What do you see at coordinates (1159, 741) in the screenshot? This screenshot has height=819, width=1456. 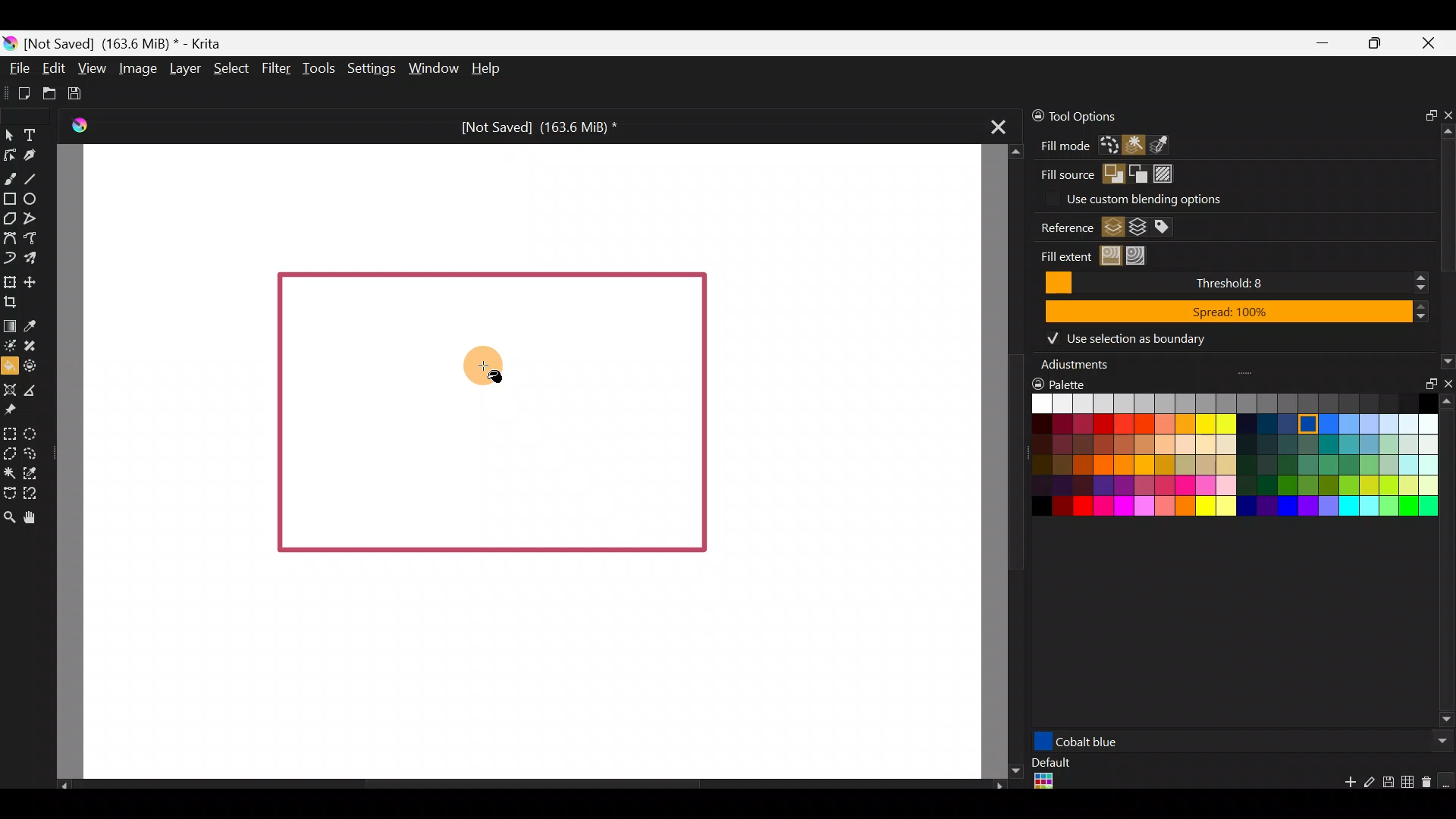 I see `Purple color` at bounding box center [1159, 741].